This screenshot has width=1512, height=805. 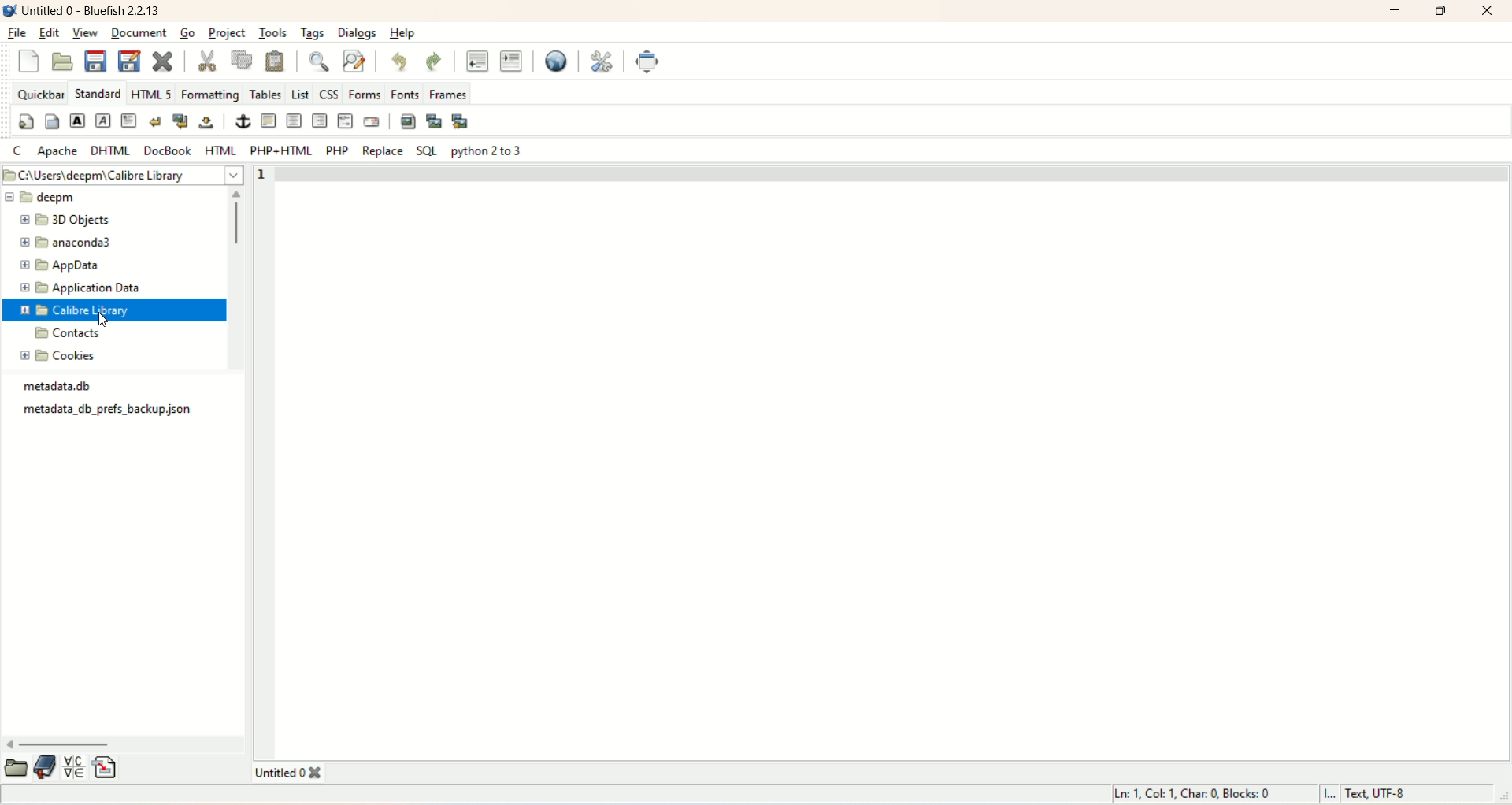 I want to click on tables, so click(x=265, y=93).